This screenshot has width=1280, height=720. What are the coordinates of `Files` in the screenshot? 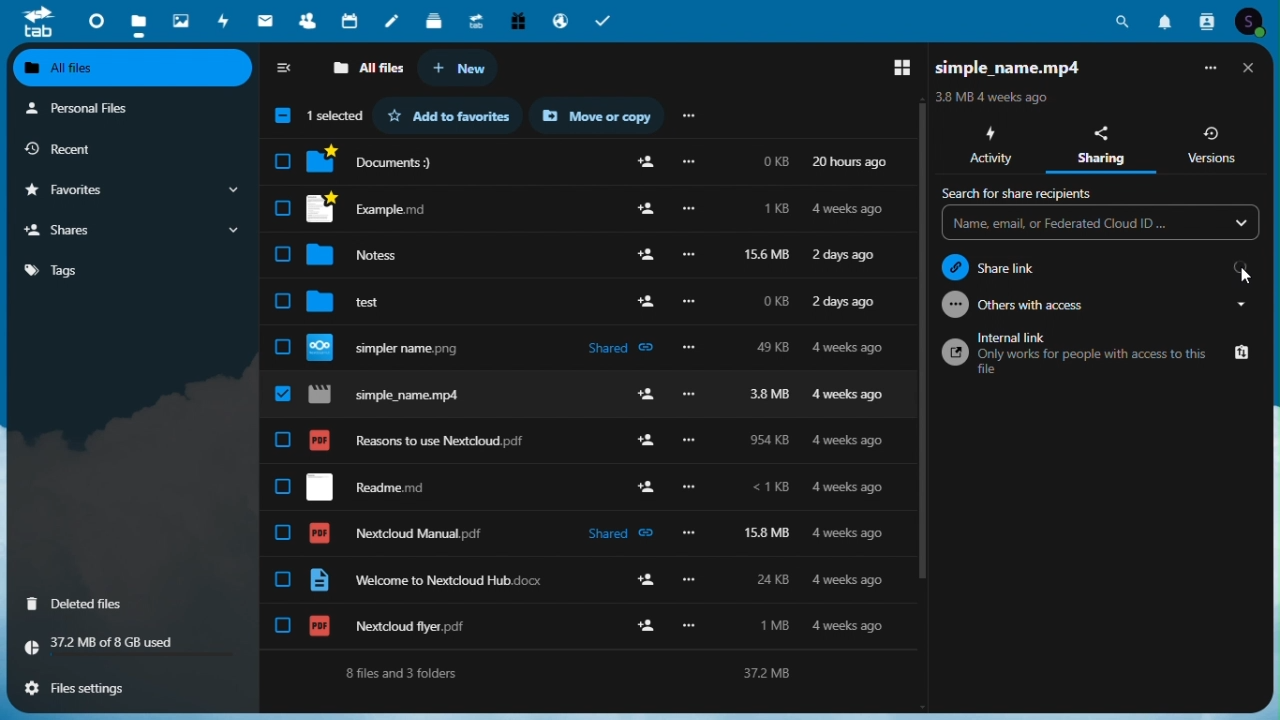 It's located at (587, 252).